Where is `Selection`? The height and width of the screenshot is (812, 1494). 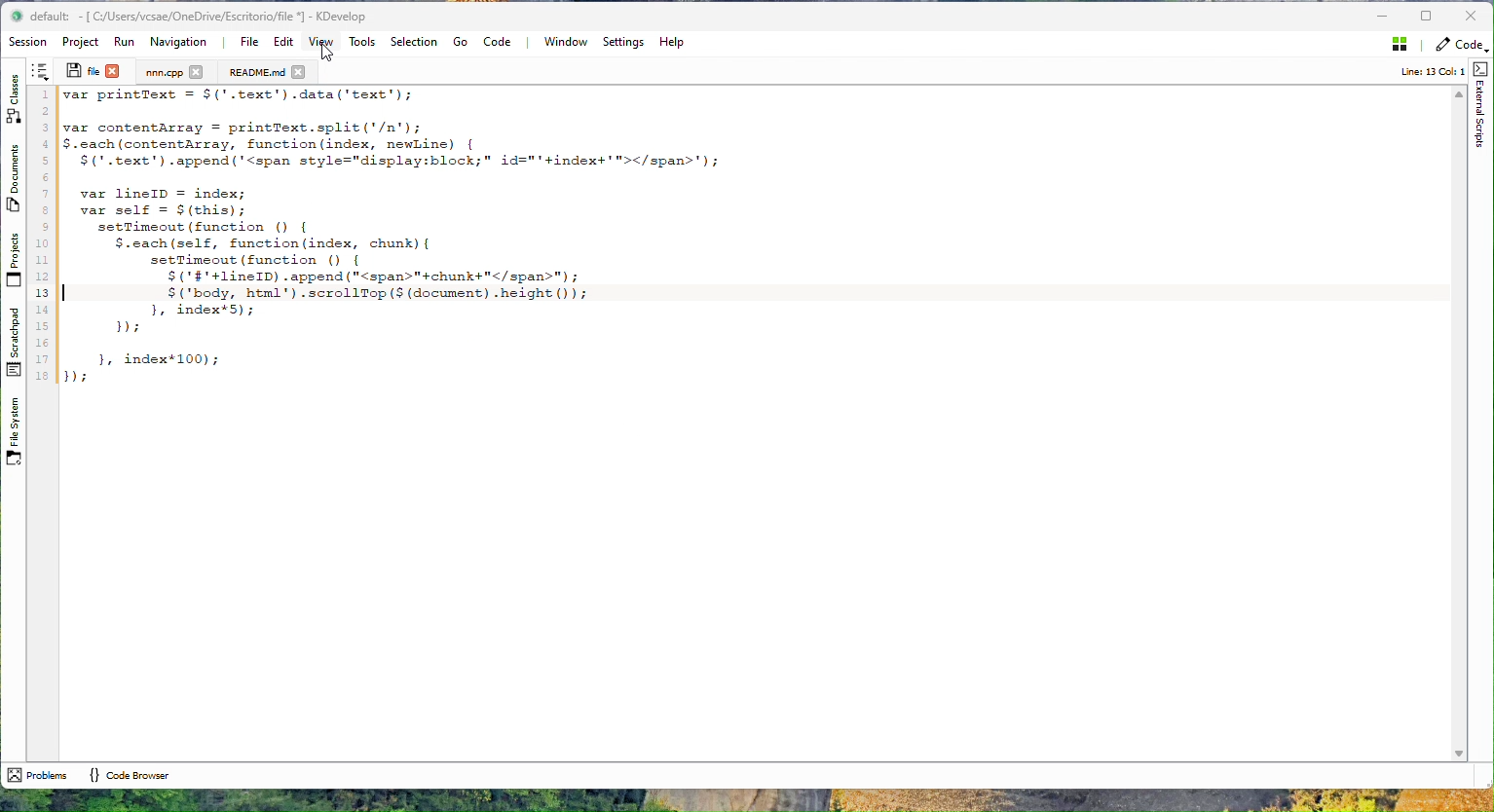 Selection is located at coordinates (413, 42).